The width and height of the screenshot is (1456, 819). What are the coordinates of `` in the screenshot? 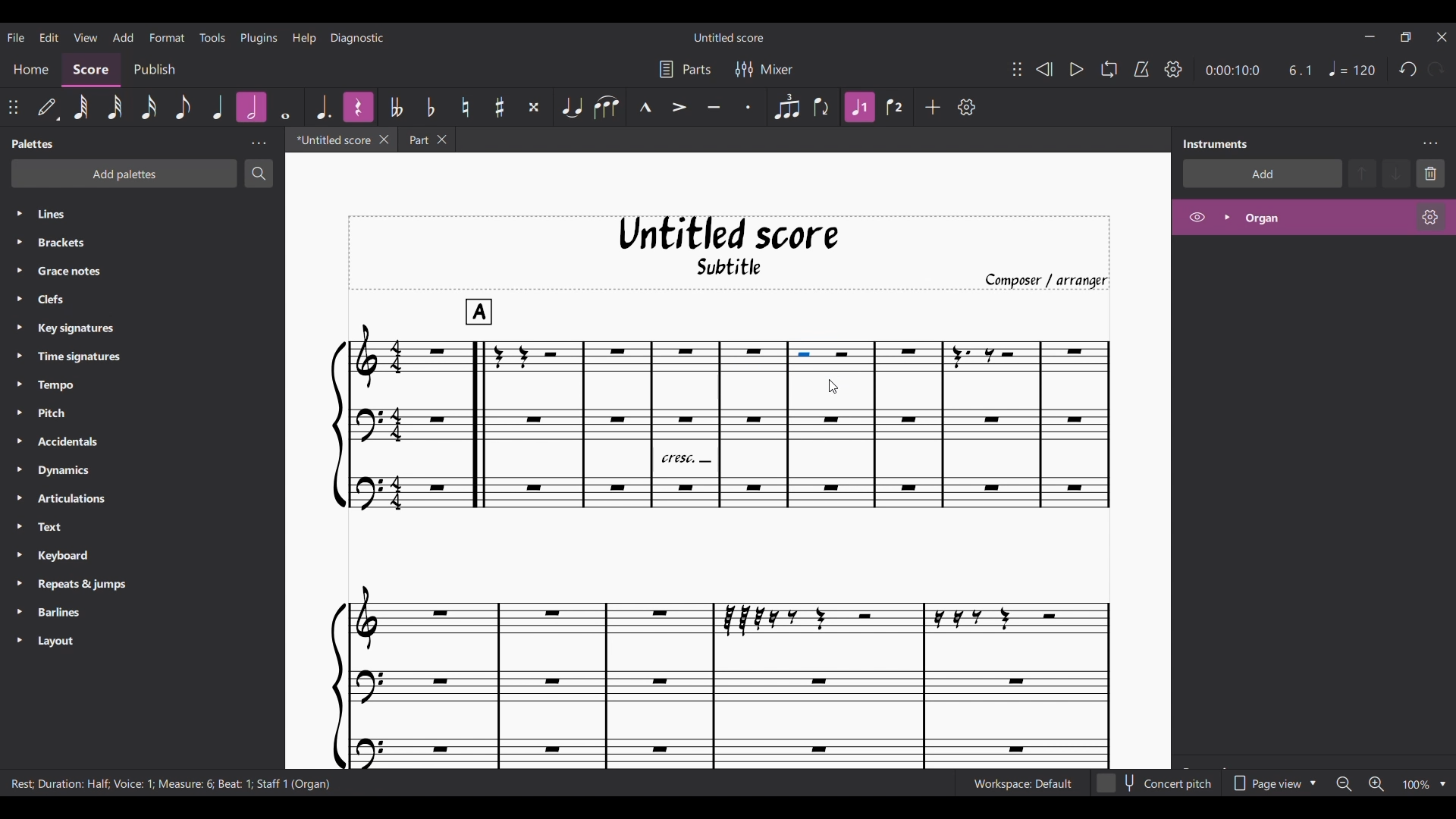 It's located at (381, 106).